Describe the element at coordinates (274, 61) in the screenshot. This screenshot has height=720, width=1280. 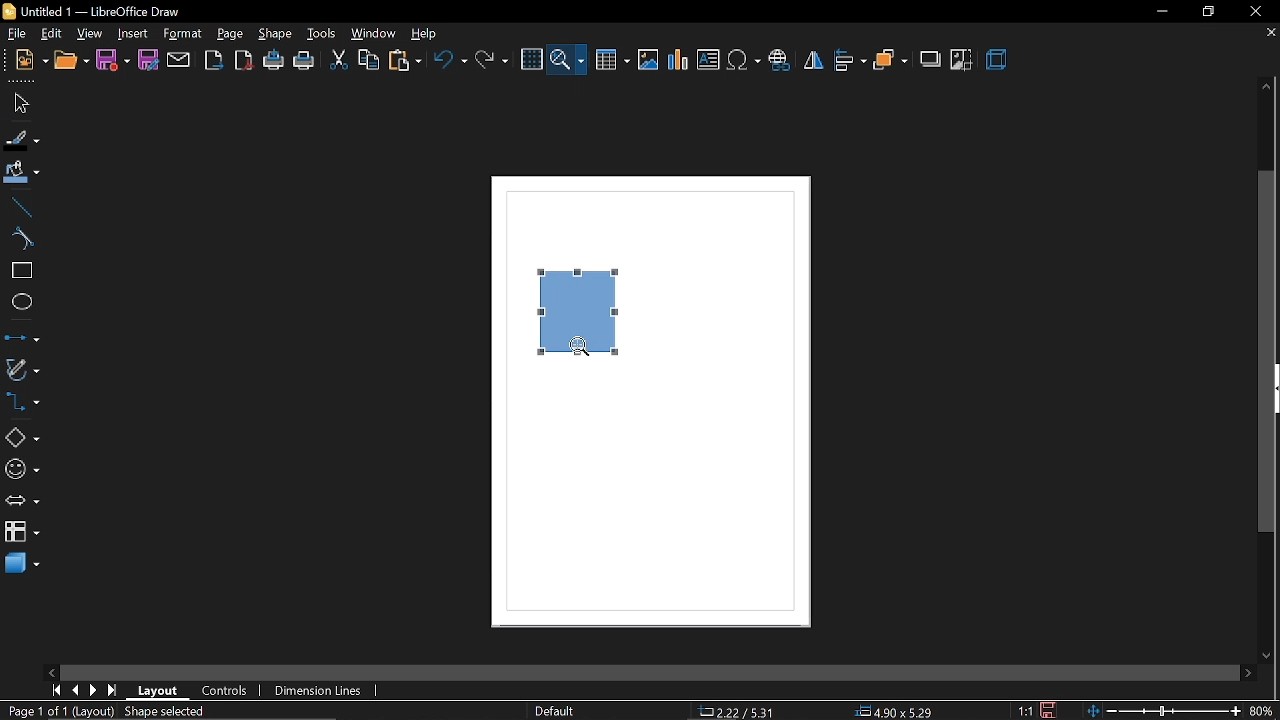
I see `print directly` at that location.